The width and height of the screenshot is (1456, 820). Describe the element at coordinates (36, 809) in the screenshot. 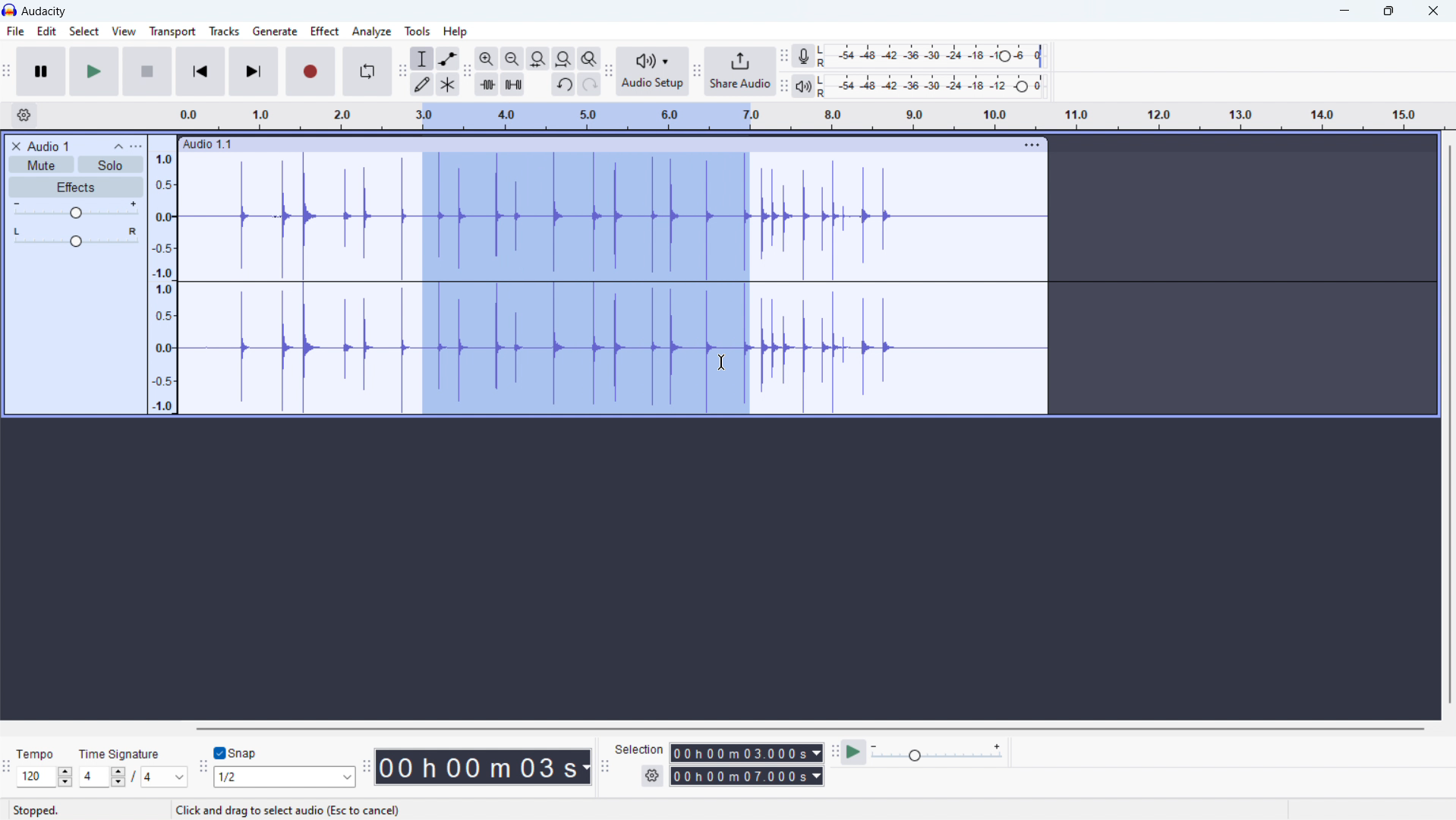

I see `Stopped` at that location.